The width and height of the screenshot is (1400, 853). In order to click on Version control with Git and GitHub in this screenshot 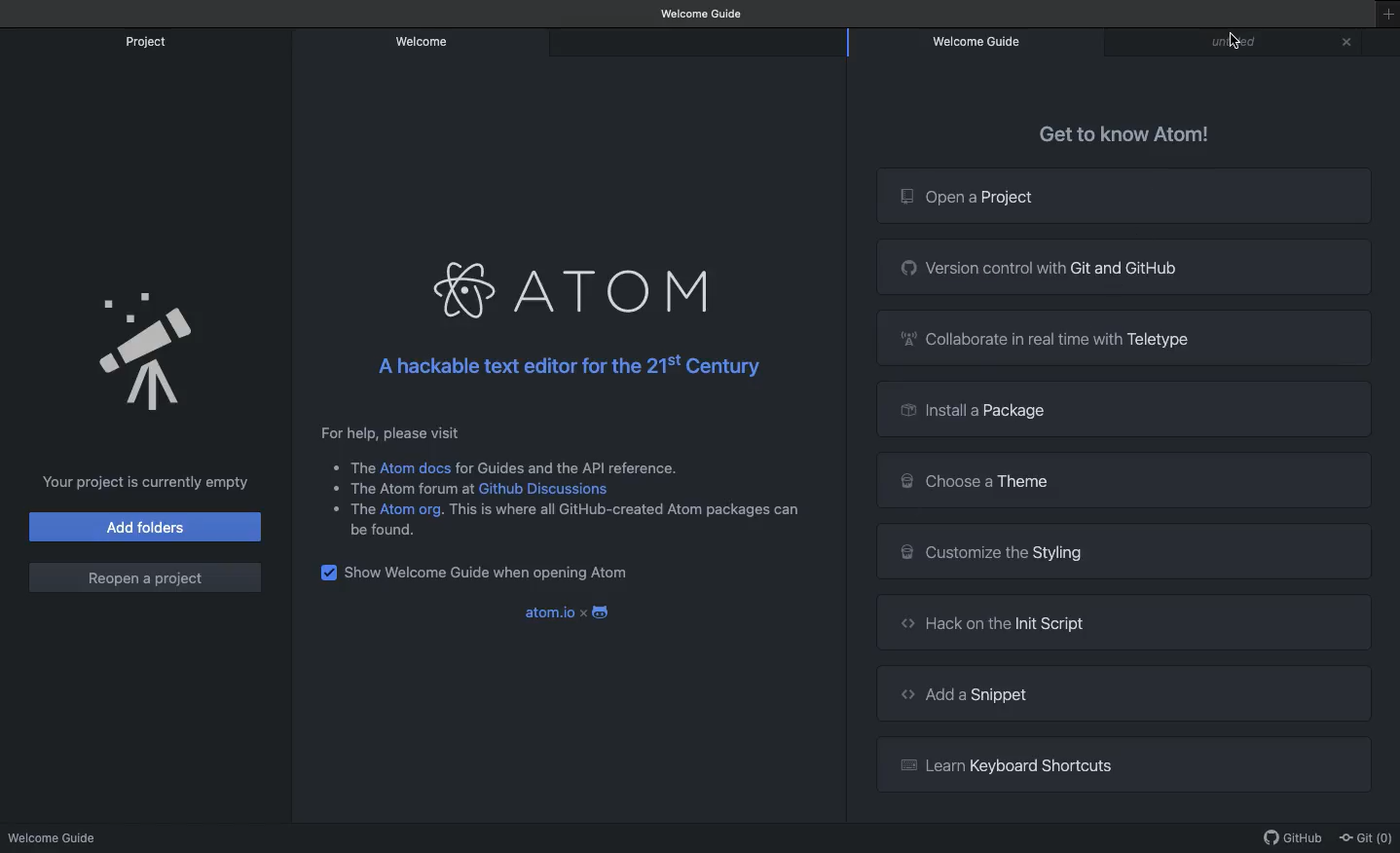, I will do `click(1144, 269)`.